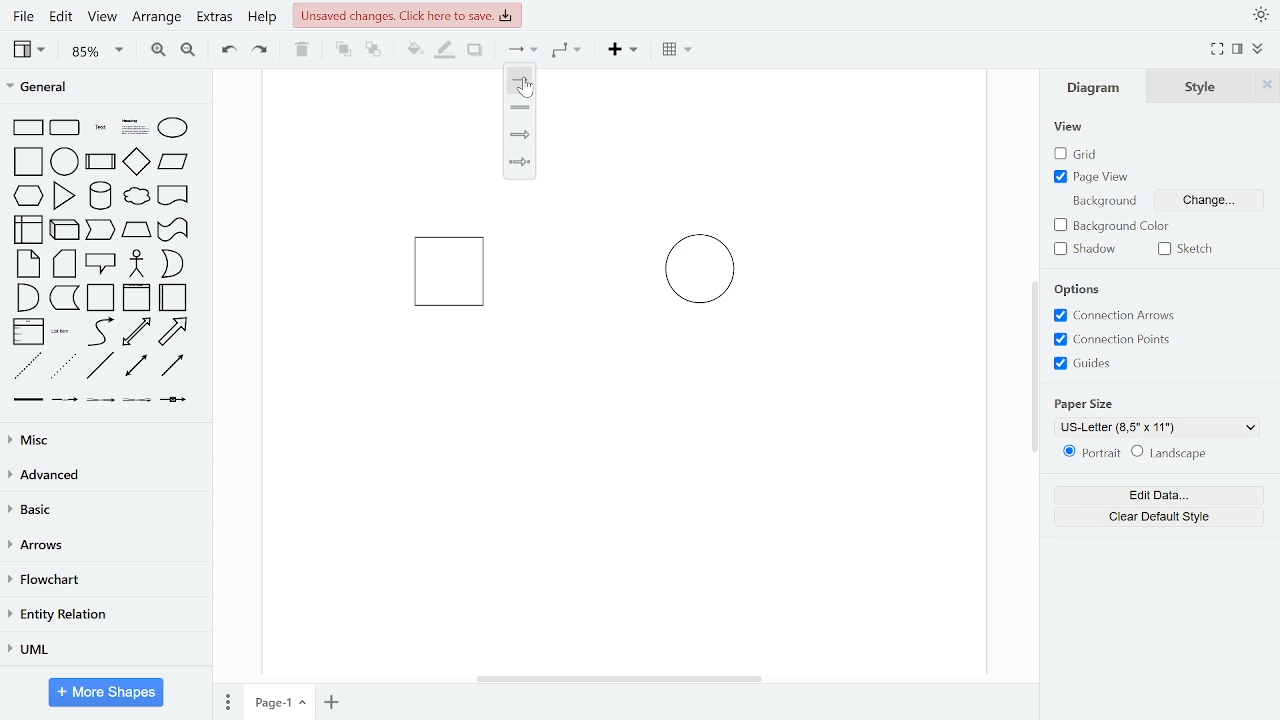  Describe the element at coordinates (1158, 496) in the screenshot. I see `edit data` at that location.